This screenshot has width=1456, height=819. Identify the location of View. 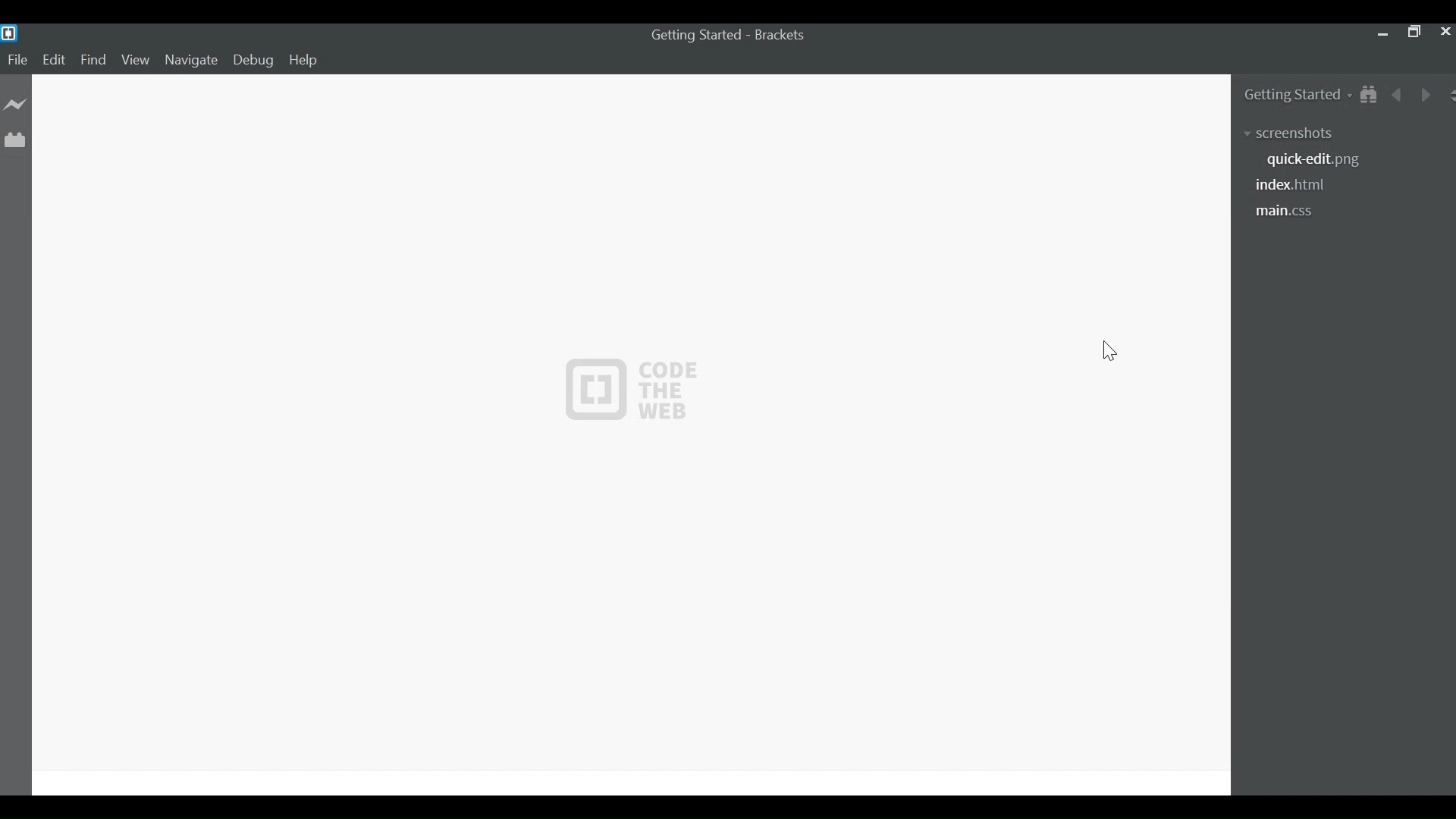
(135, 61).